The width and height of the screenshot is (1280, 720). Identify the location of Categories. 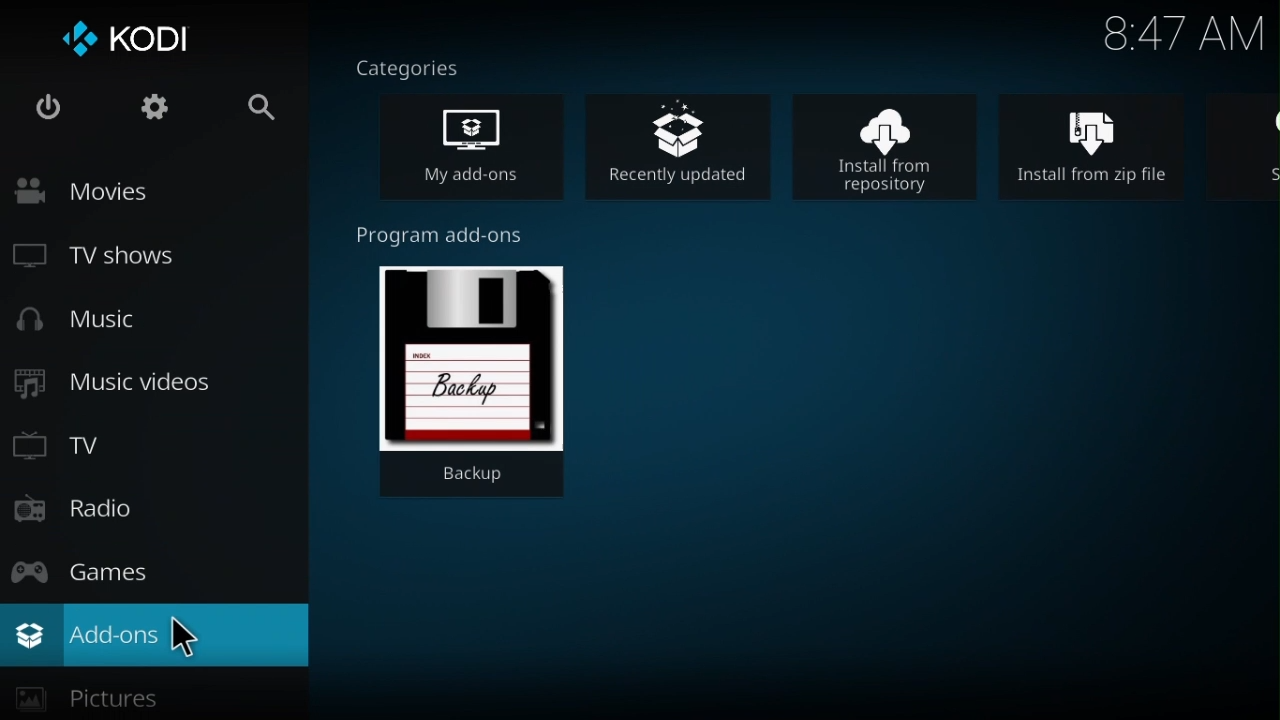
(407, 66).